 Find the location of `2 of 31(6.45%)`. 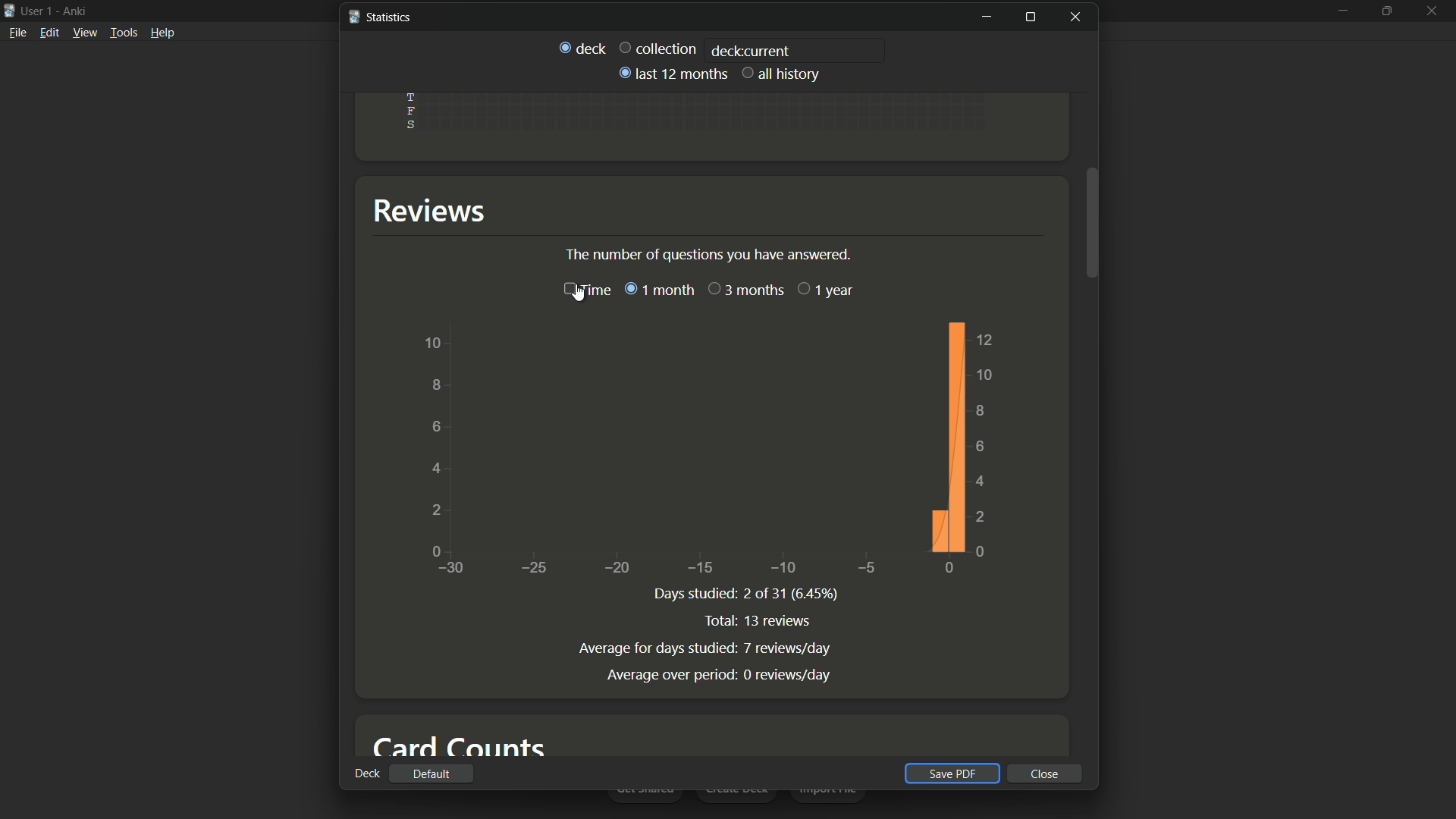

2 of 31(6.45%) is located at coordinates (789, 594).